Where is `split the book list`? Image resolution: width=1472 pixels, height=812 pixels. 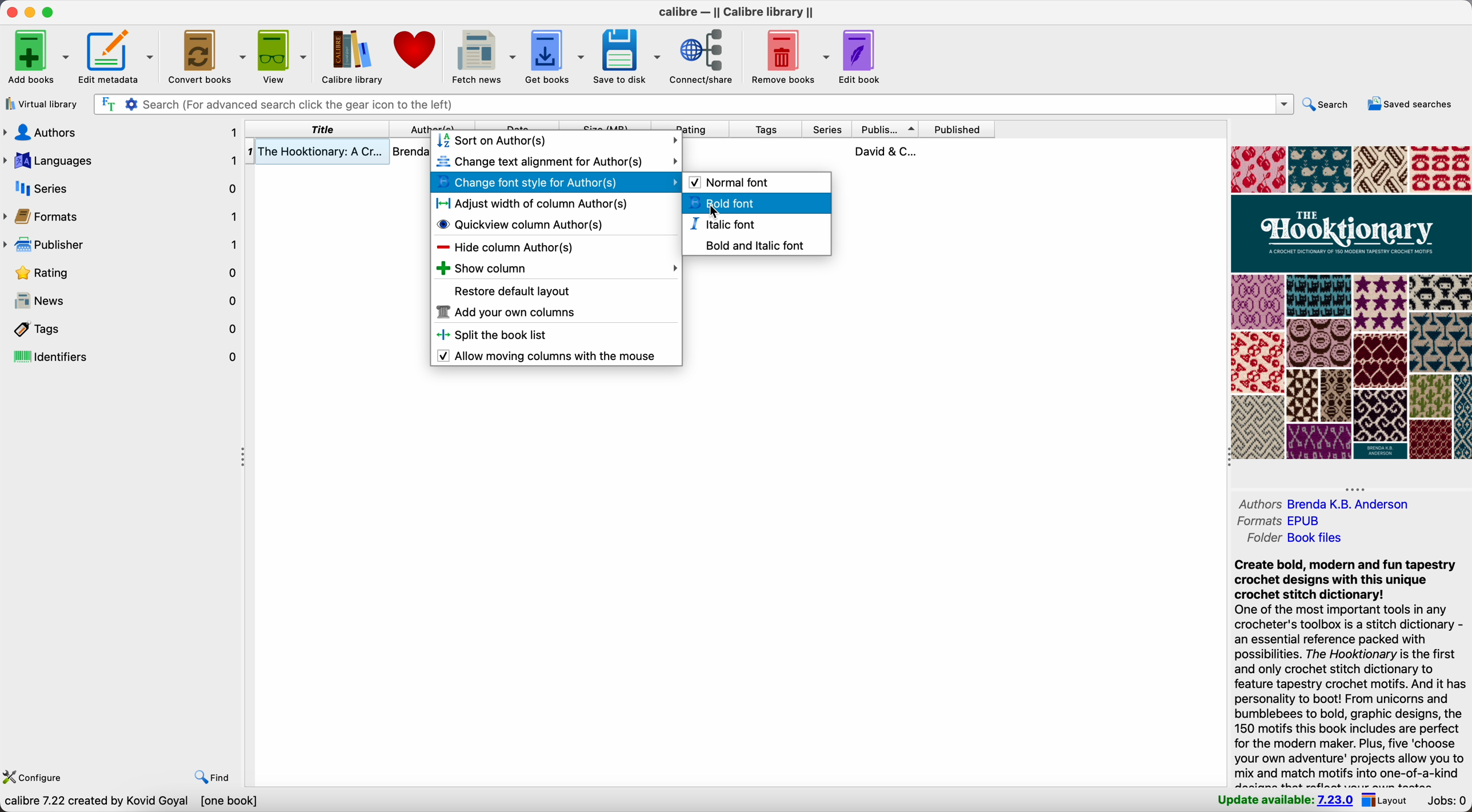
split the book list is located at coordinates (499, 335).